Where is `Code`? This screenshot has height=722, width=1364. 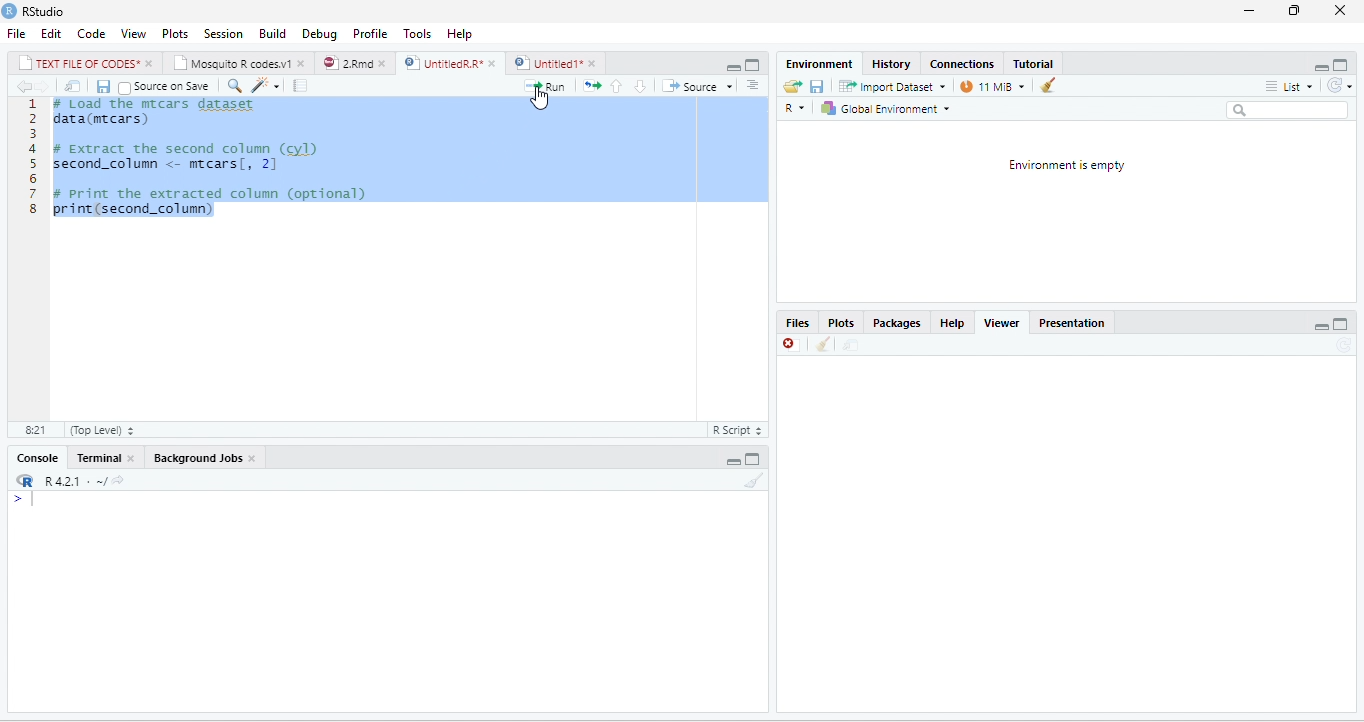
Code is located at coordinates (90, 32).